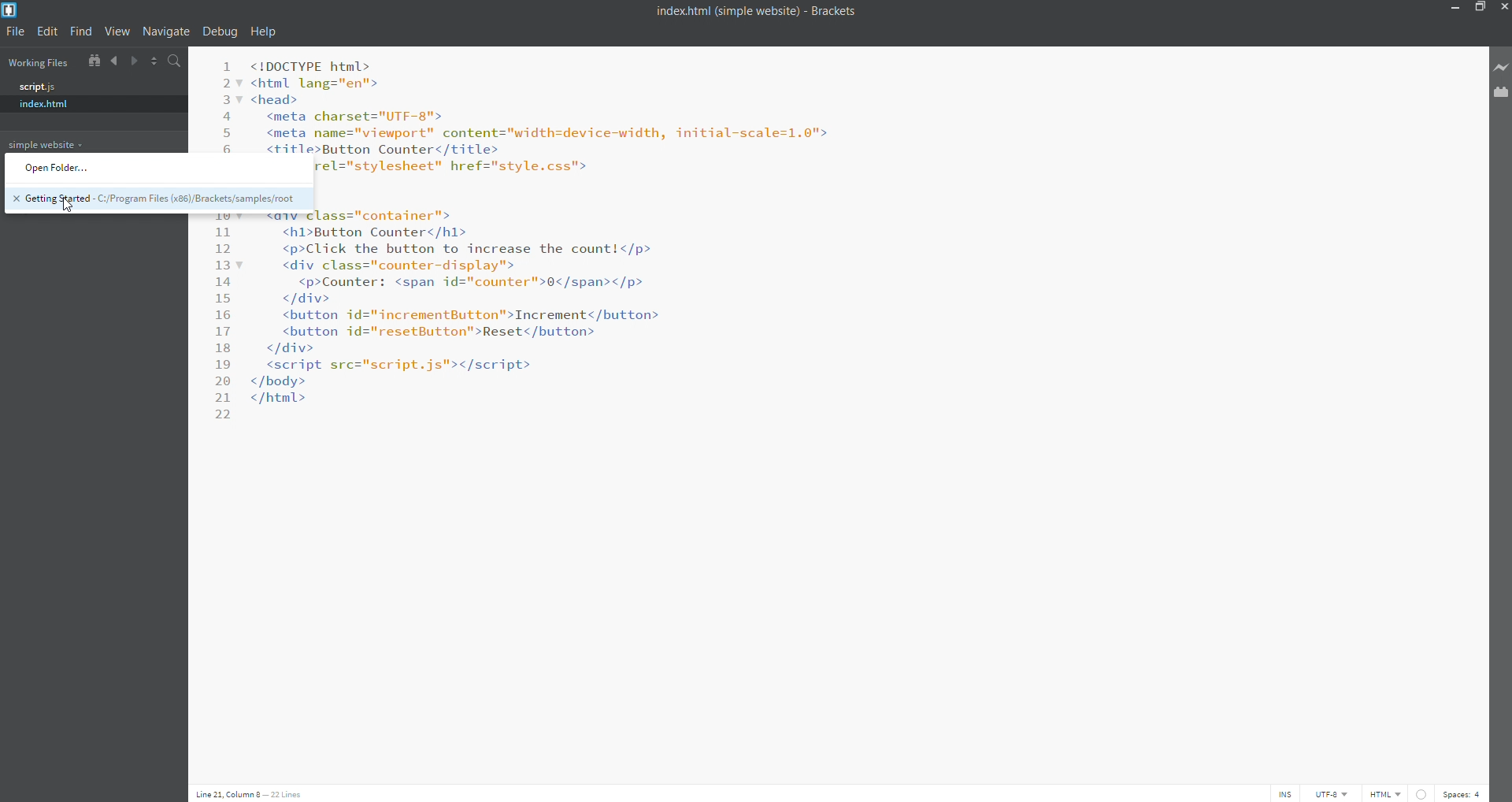  What do you see at coordinates (84, 86) in the screenshot?
I see `script.js` at bounding box center [84, 86].